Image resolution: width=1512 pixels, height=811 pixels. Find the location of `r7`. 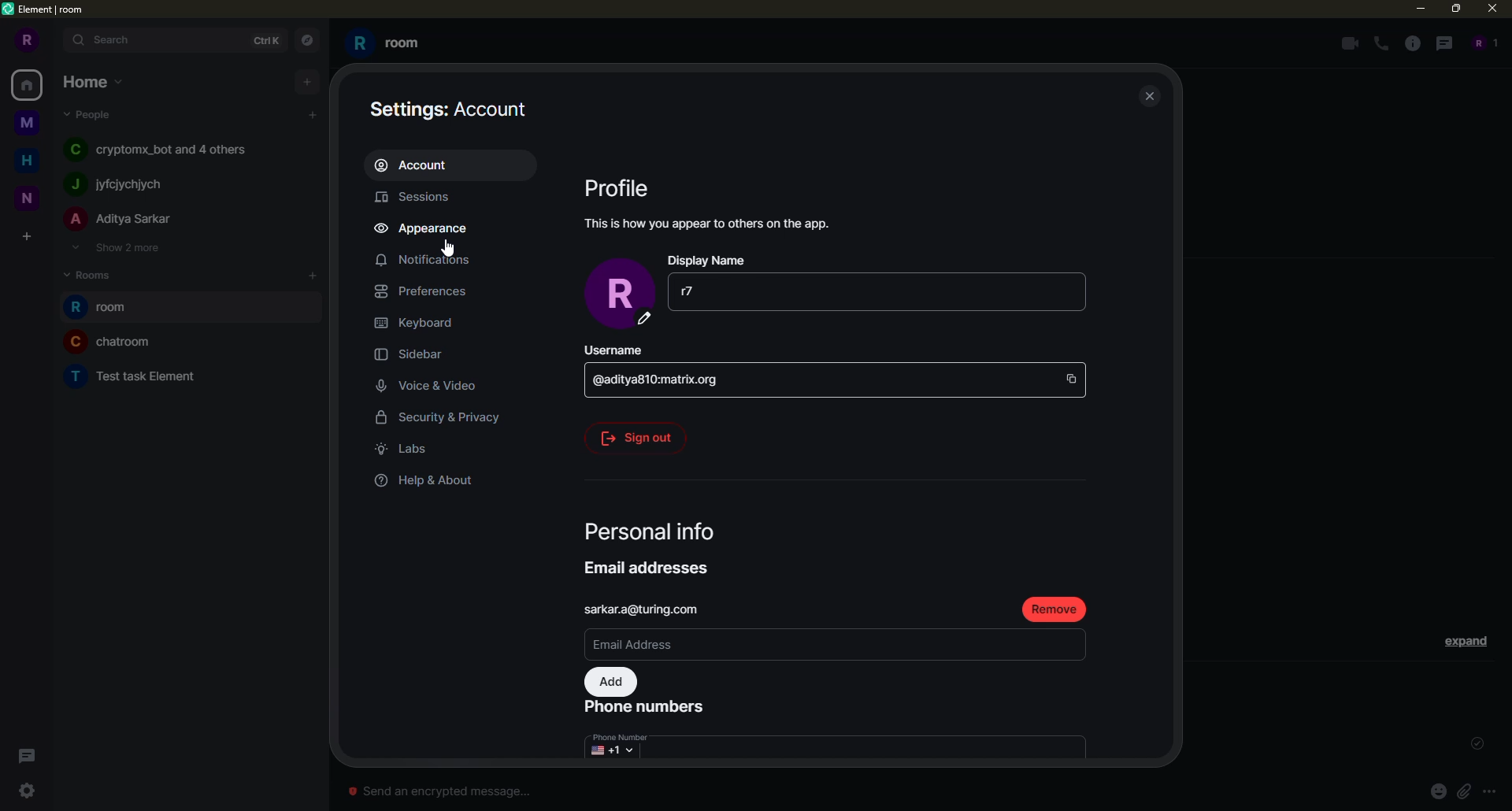

r7 is located at coordinates (698, 293).